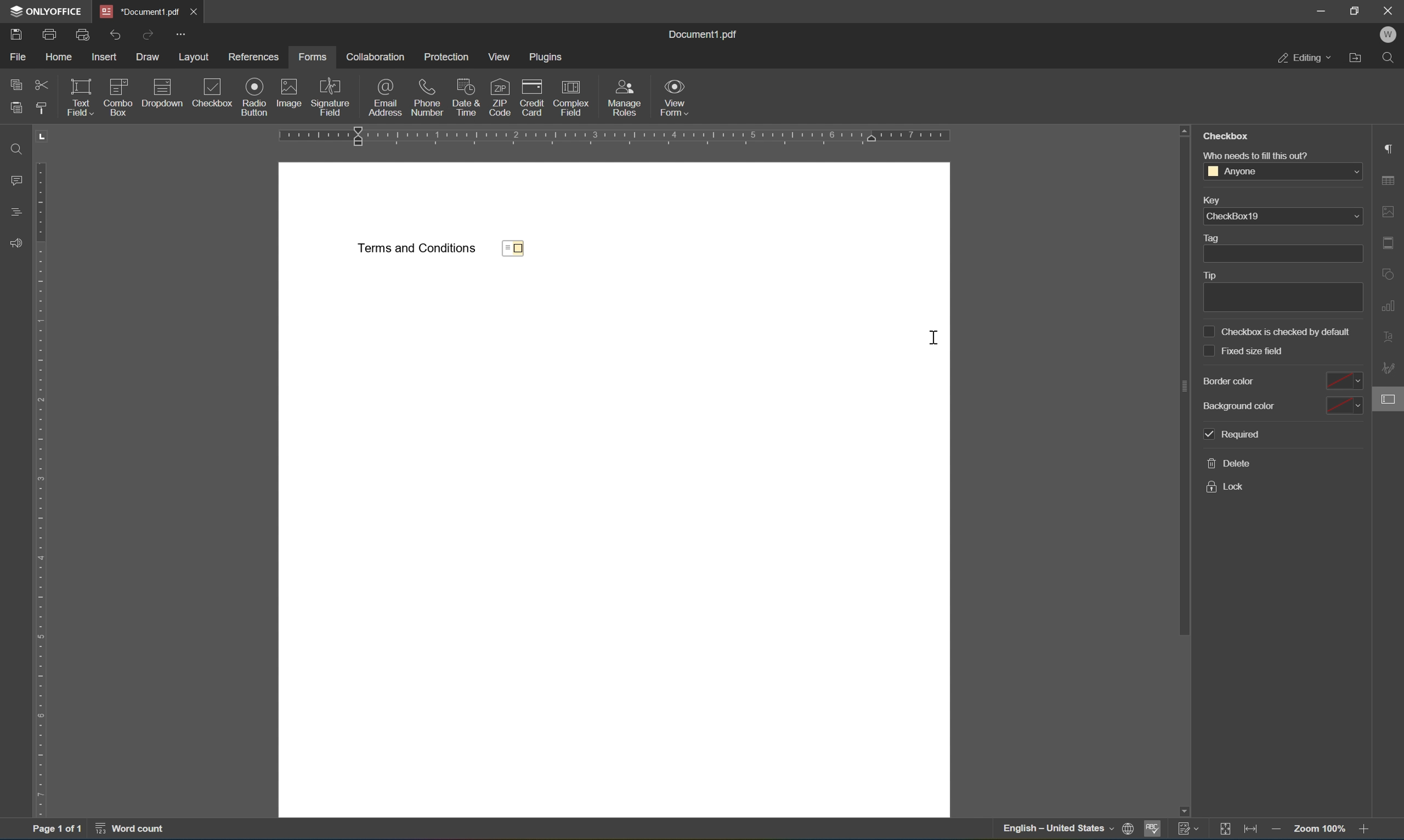 The image size is (1404, 840). What do you see at coordinates (466, 97) in the screenshot?
I see `date and time` at bounding box center [466, 97].